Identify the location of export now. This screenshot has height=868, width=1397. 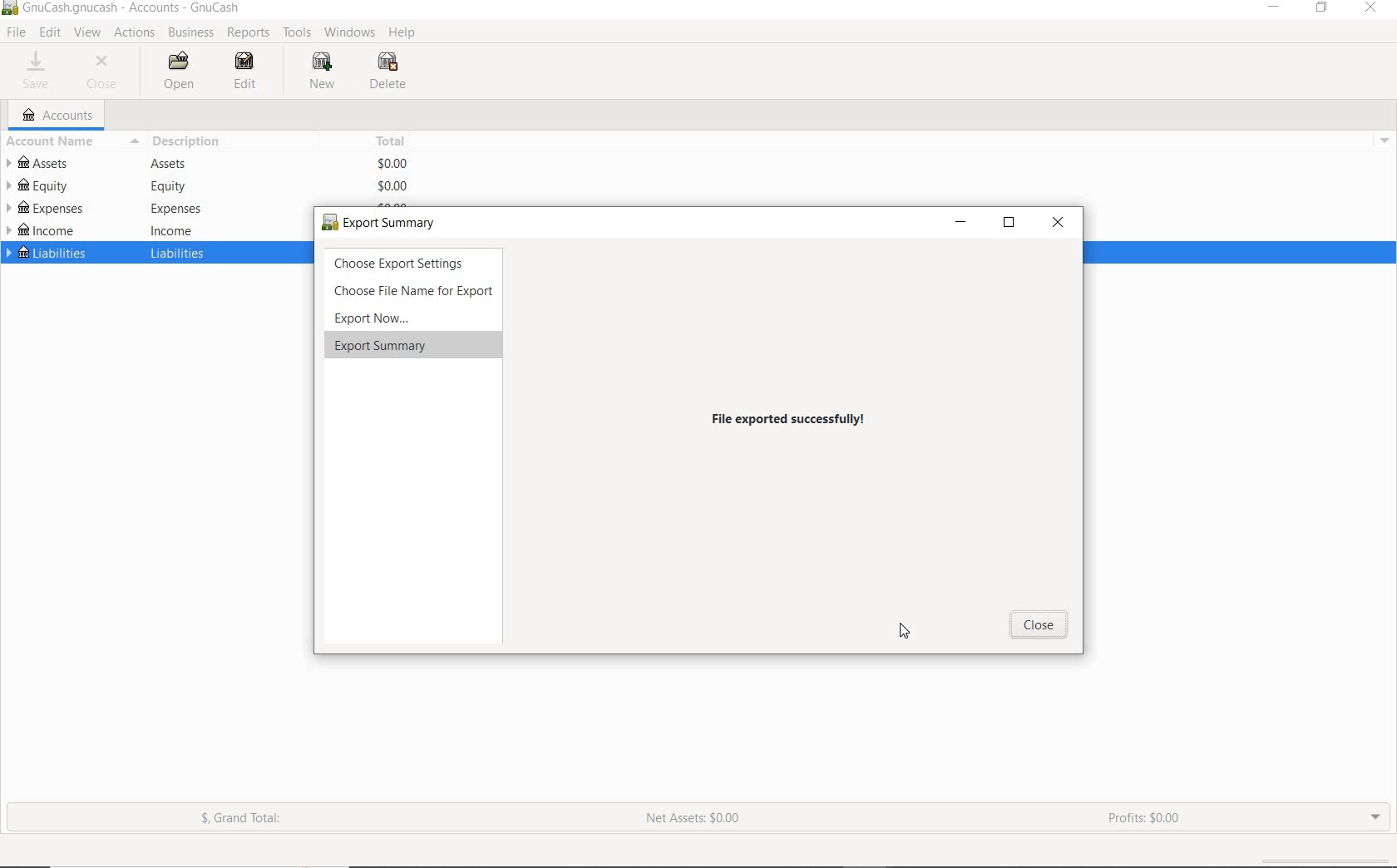
(420, 220).